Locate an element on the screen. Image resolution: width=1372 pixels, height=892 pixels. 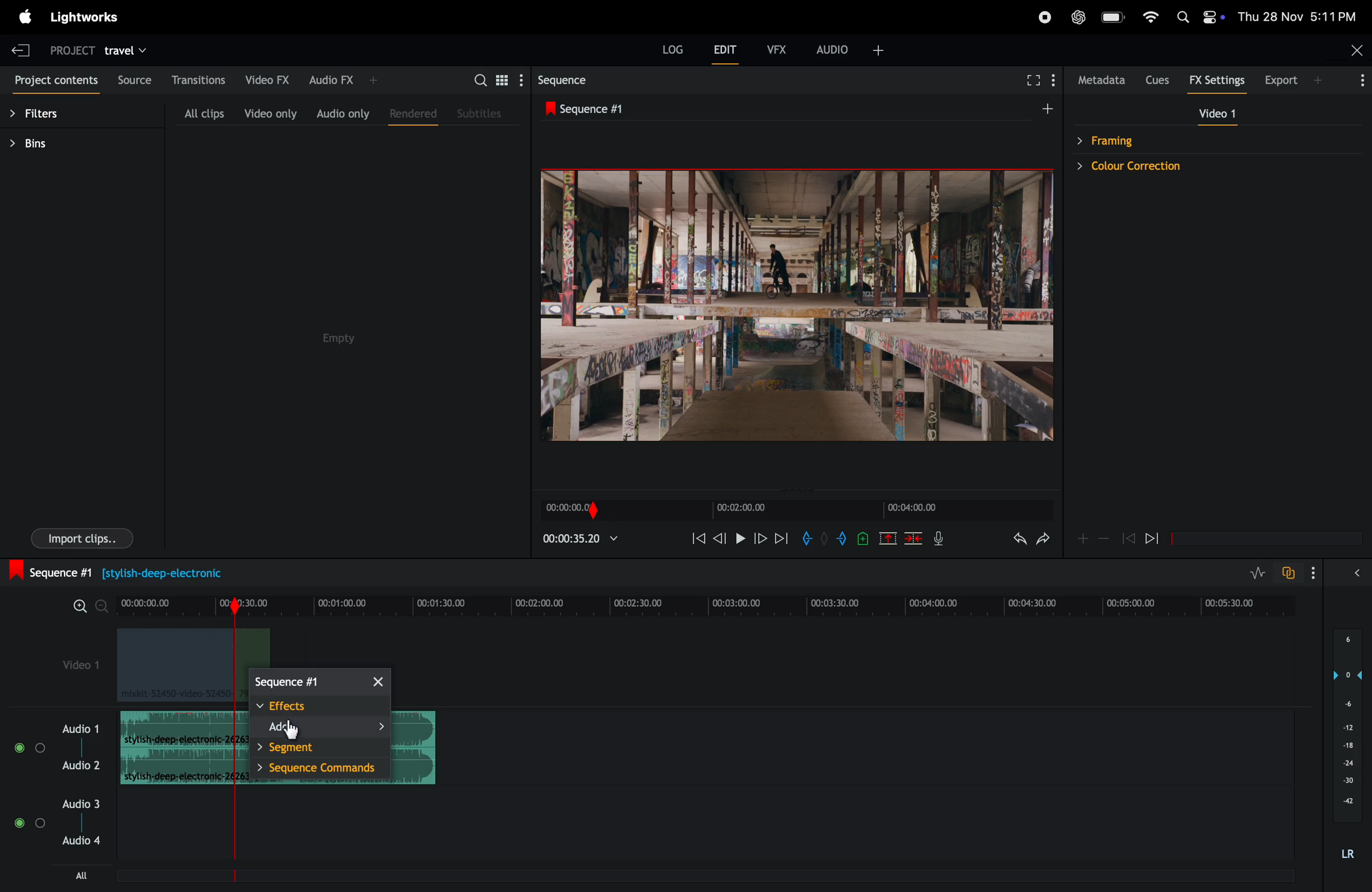
bins is located at coordinates (57, 146).